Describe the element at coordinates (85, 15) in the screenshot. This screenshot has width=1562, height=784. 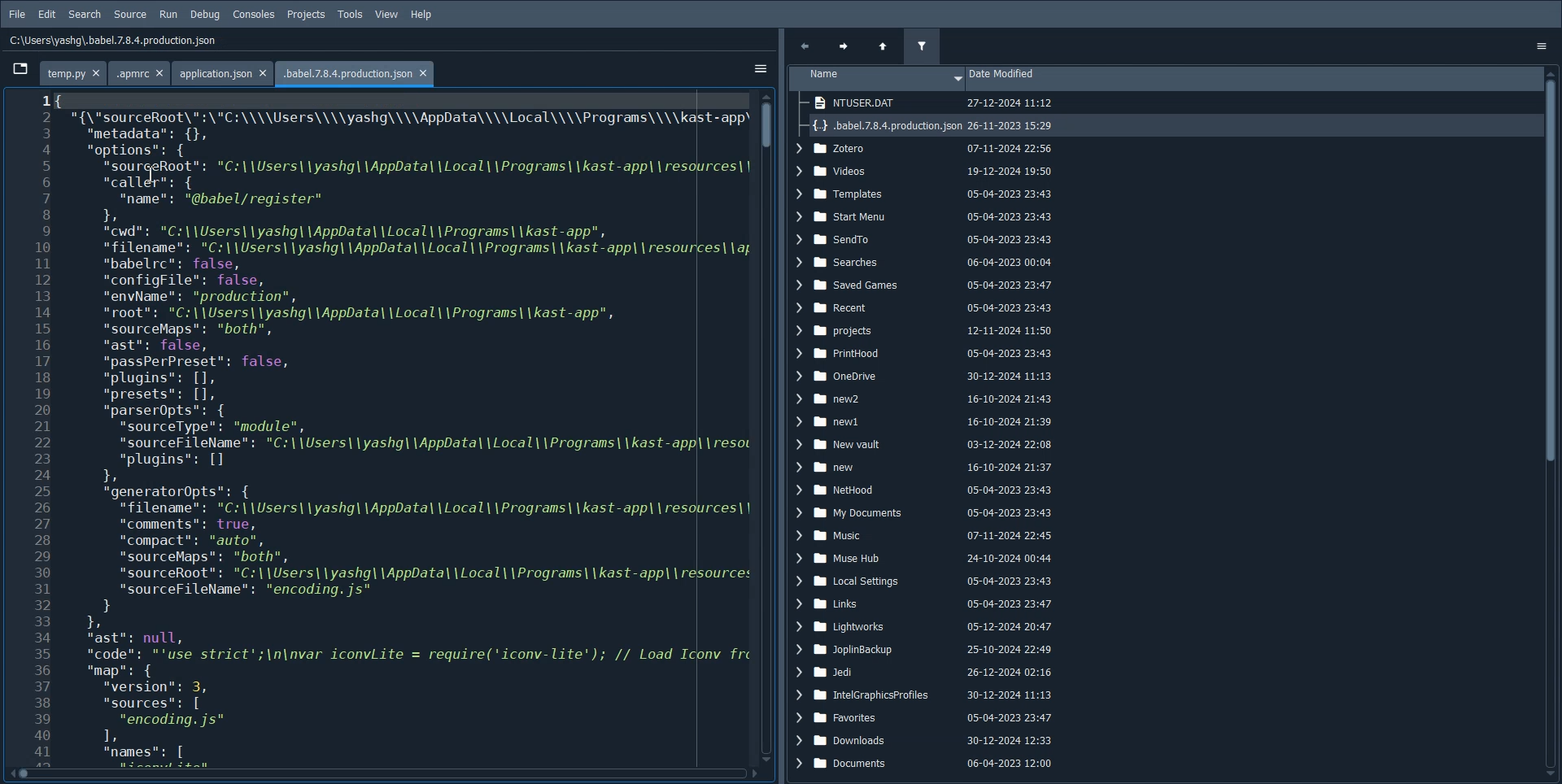
I see `Search` at that location.